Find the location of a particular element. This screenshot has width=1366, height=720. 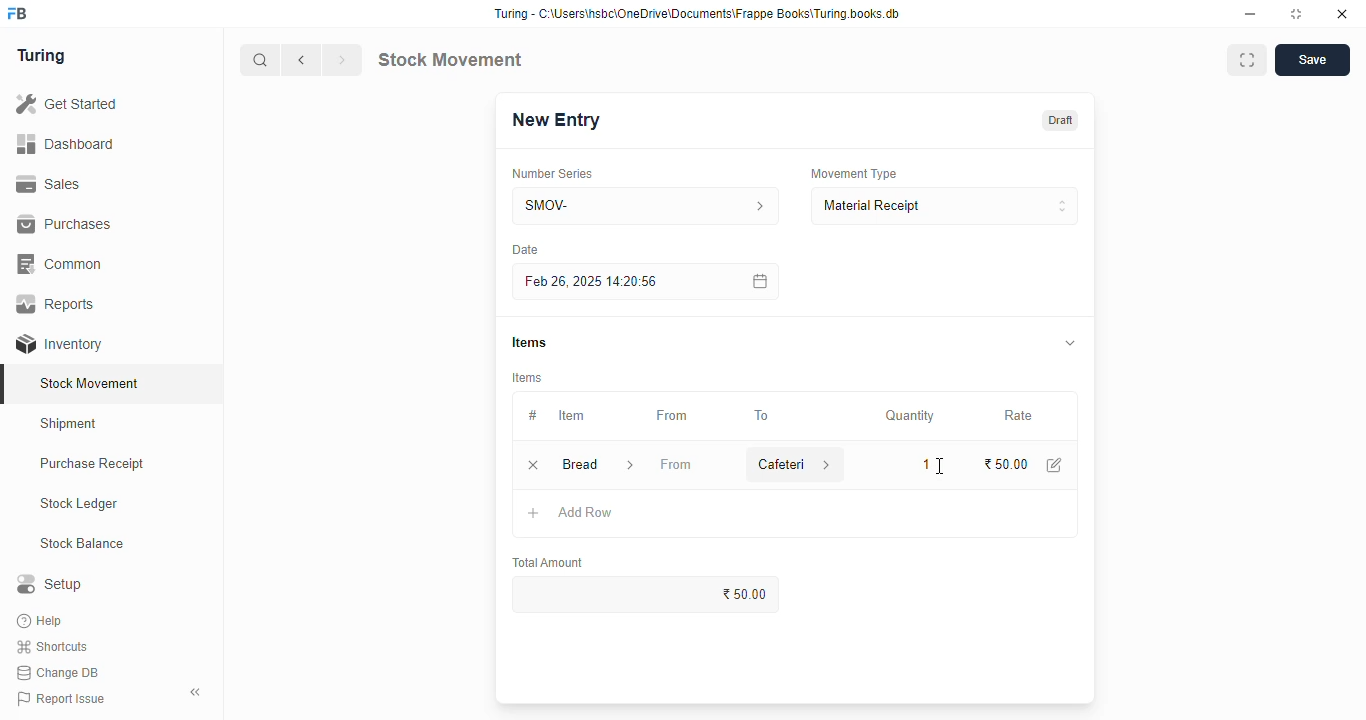

next is located at coordinates (342, 60).